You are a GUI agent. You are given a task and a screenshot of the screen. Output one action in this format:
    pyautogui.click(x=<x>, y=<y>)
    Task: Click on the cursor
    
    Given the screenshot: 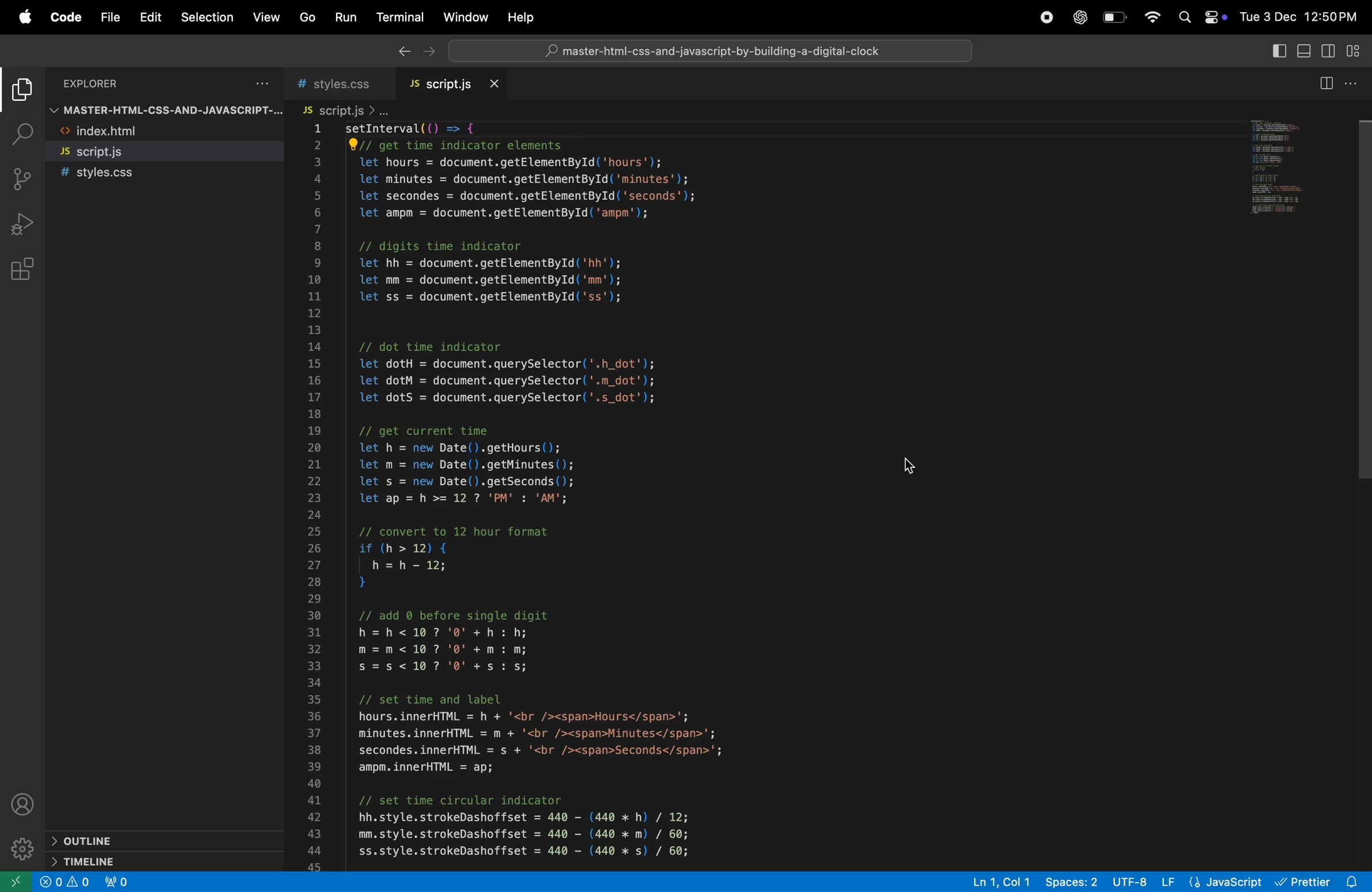 What is the action you would take?
    pyautogui.click(x=919, y=463)
    